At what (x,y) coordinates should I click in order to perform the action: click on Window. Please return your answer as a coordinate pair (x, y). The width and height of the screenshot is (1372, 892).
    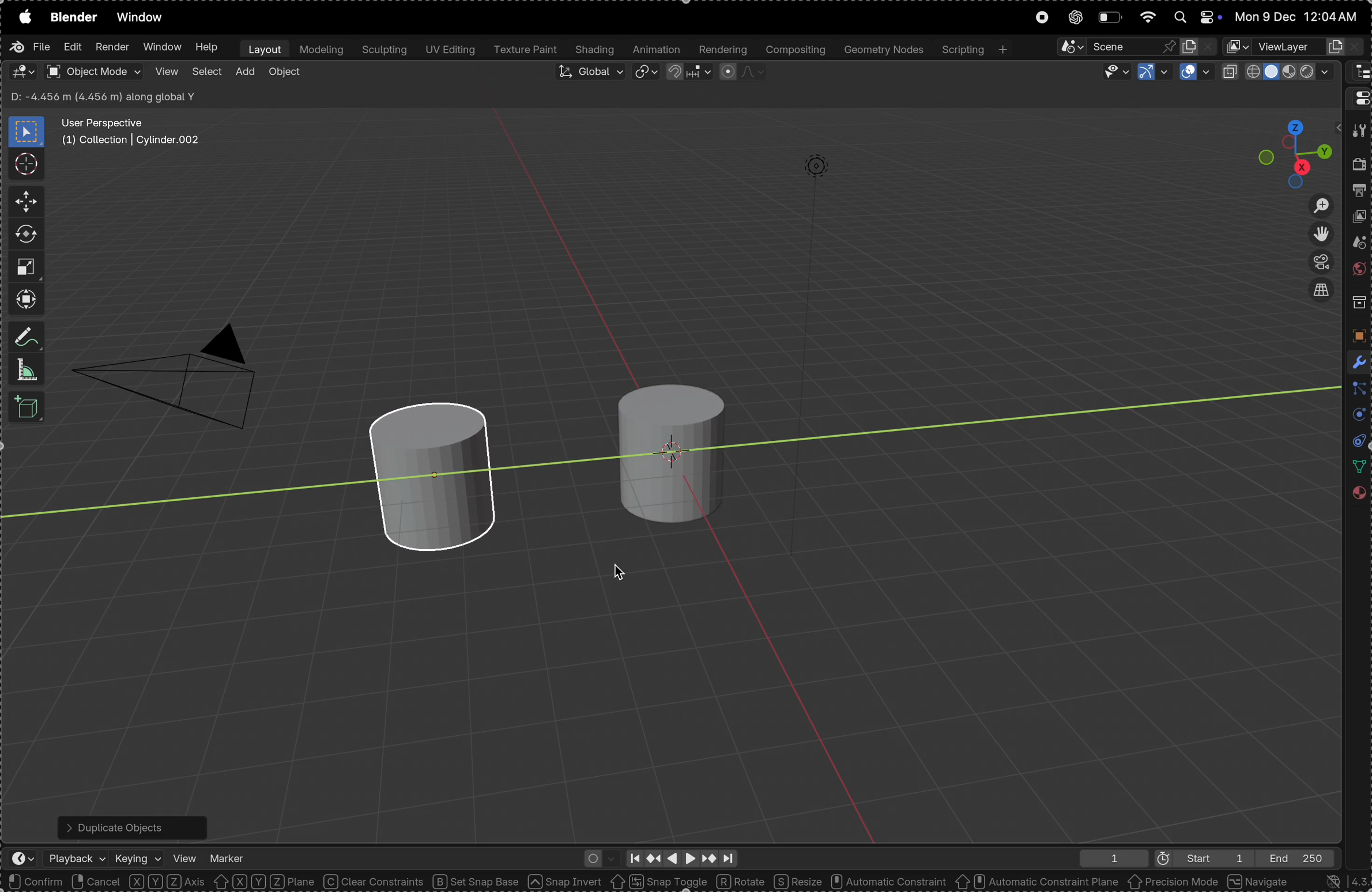
    Looking at the image, I should click on (144, 18).